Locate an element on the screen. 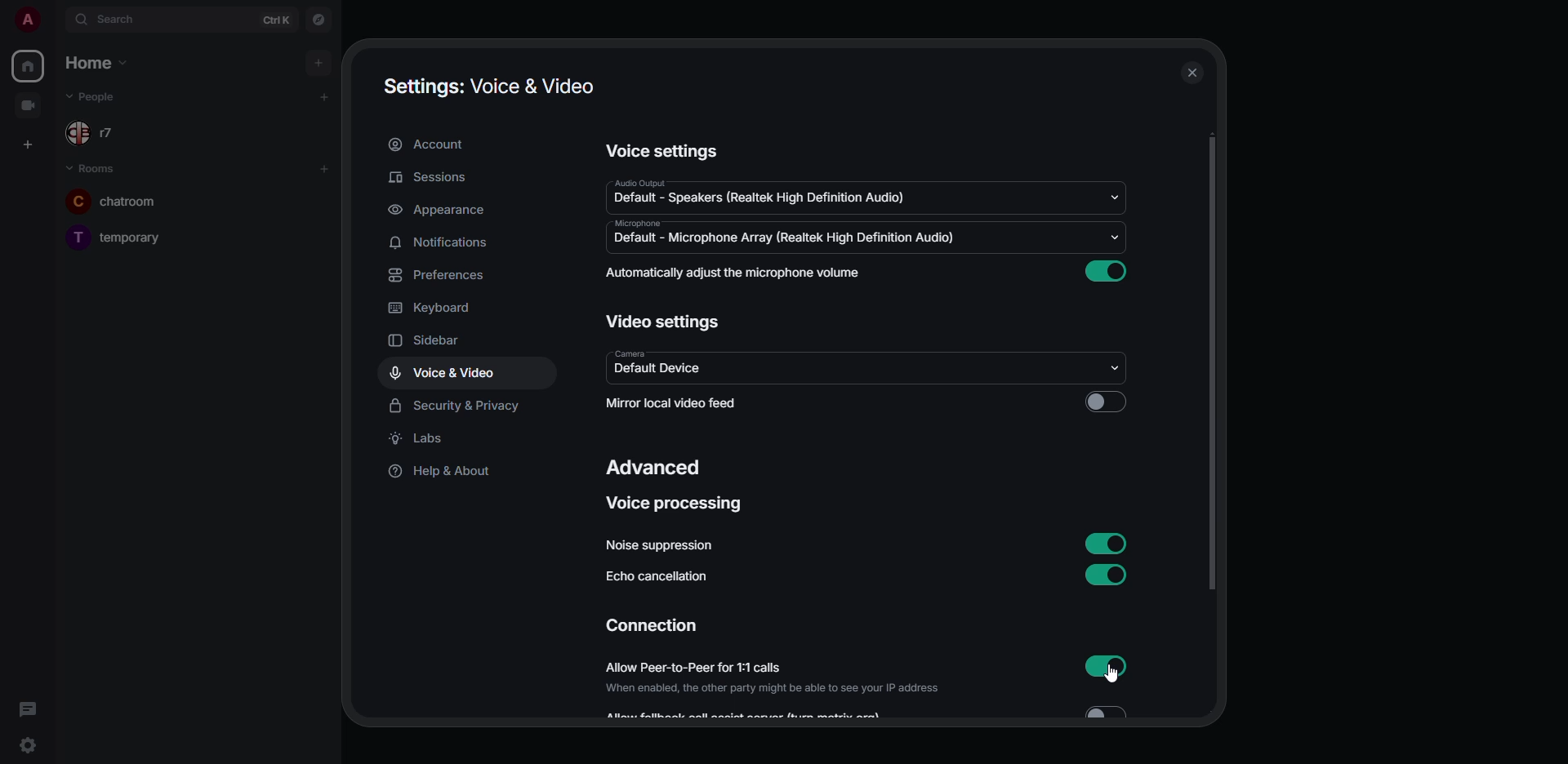 This screenshot has width=1568, height=764. sidebar is located at coordinates (432, 340).